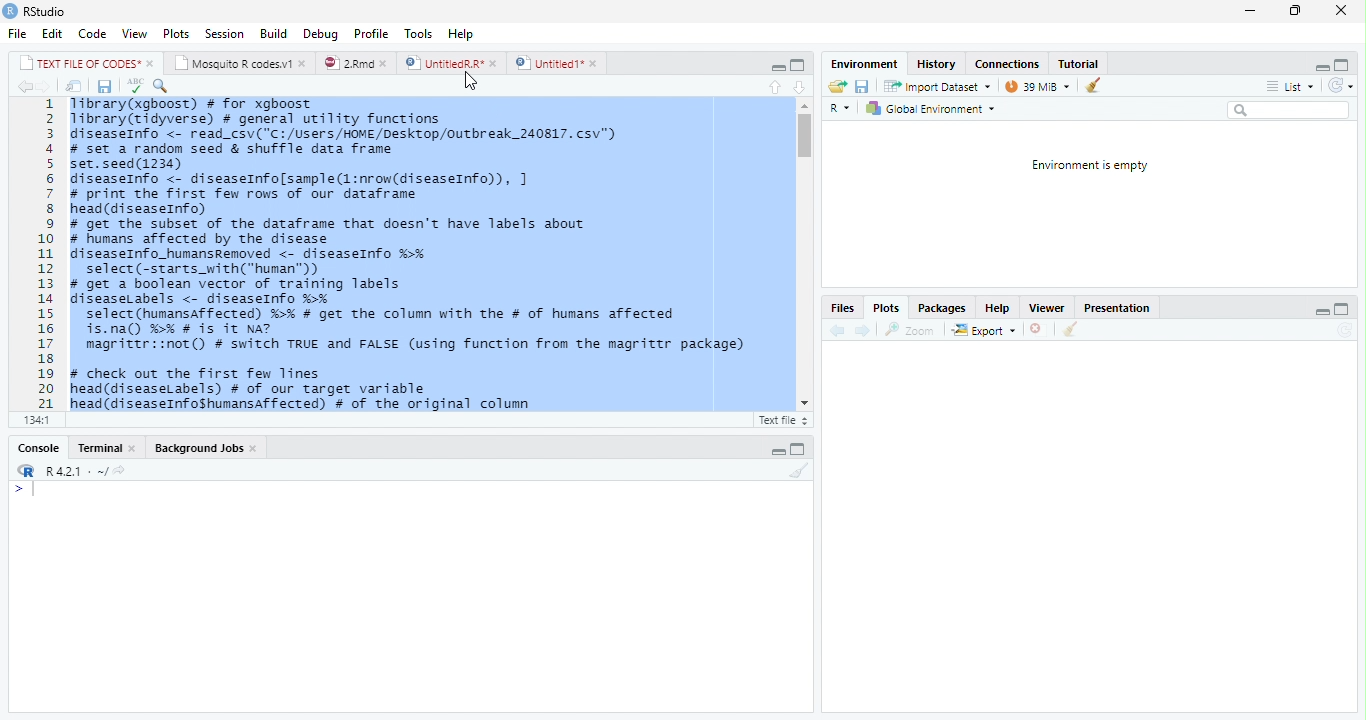  What do you see at coordinates (797, 63) in the screenshot?
I see `Maximize` at bounding box center [797, 63].